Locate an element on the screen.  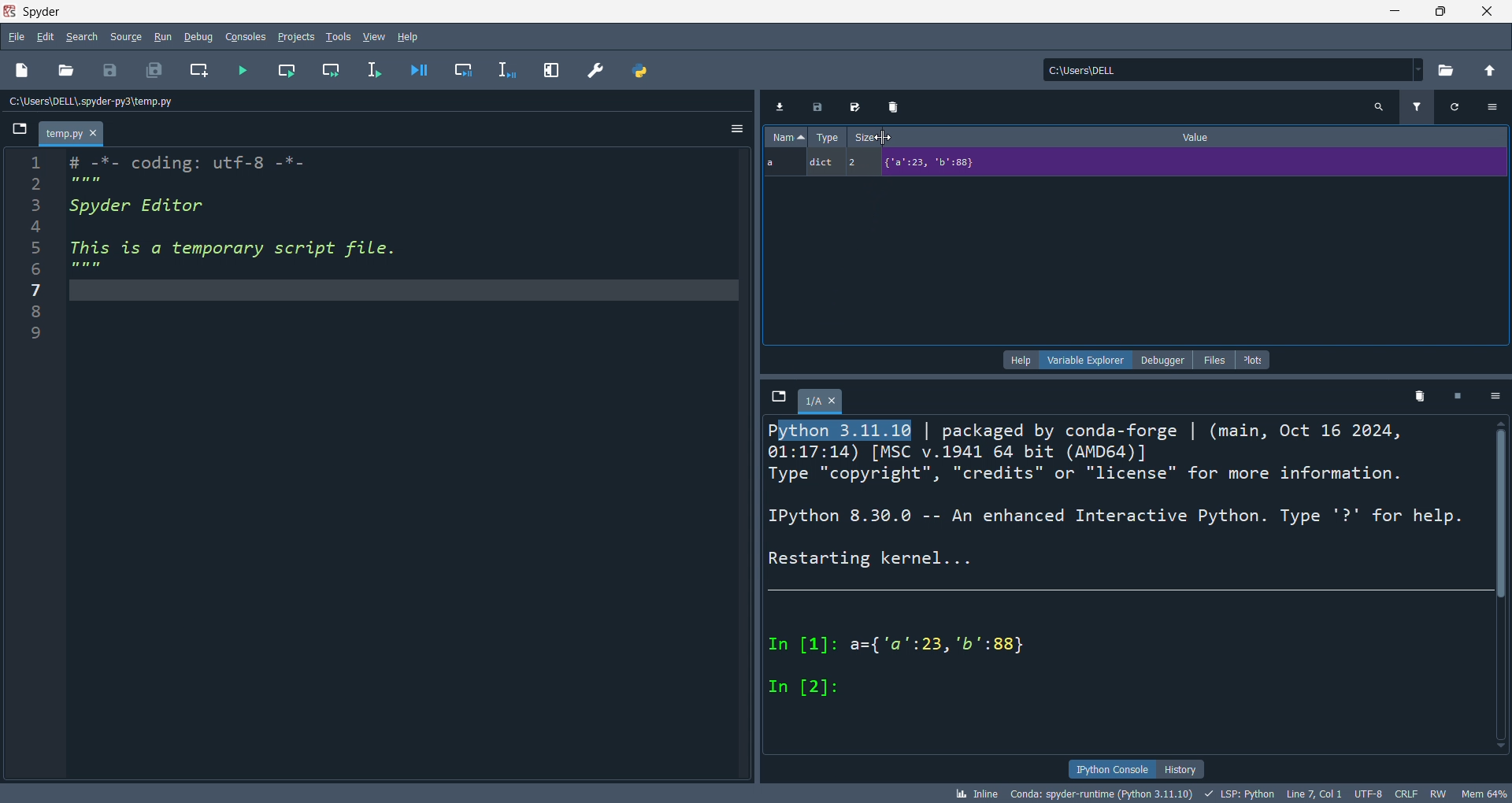
options is located at coordinates (1495, 396).